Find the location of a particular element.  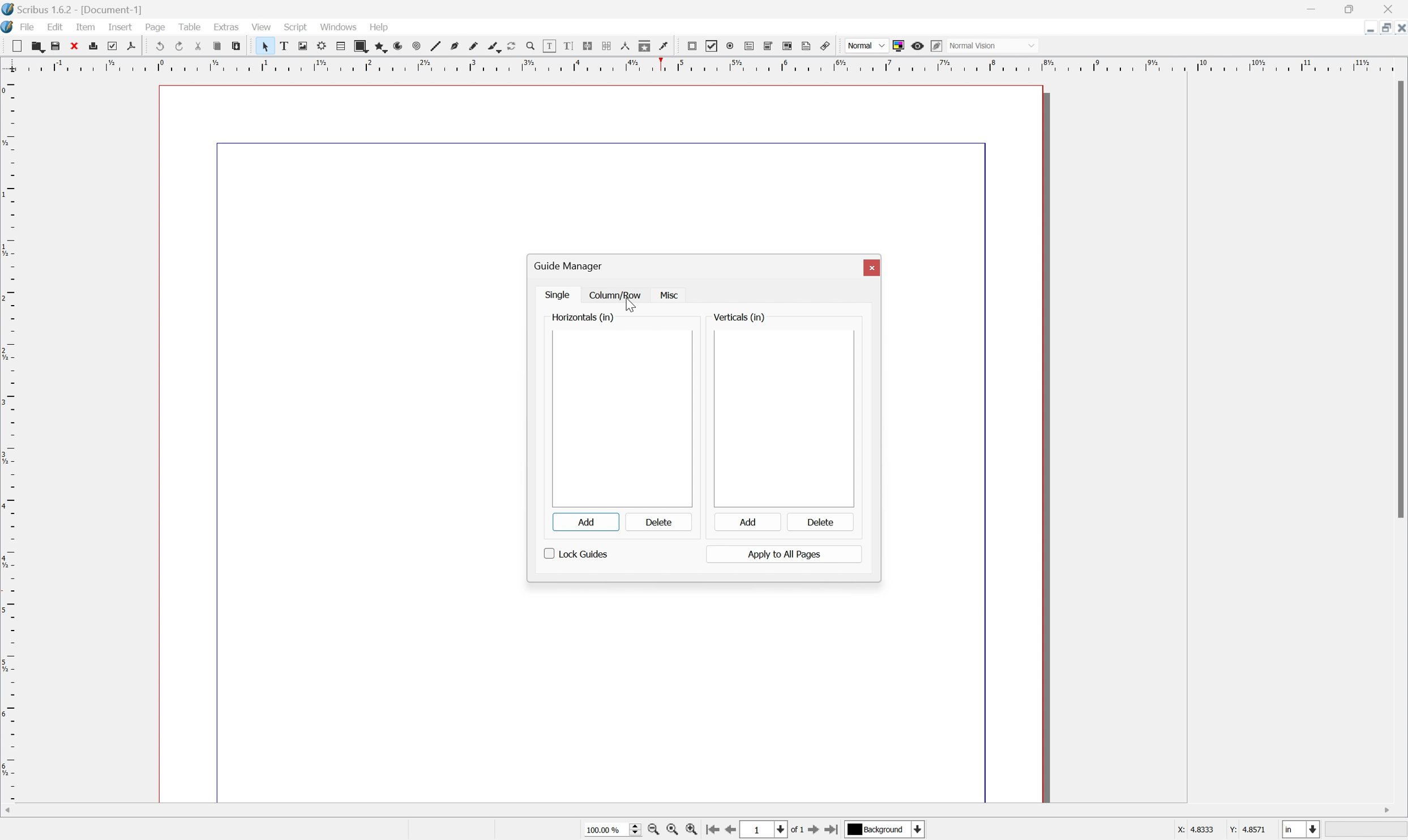

edit in preview mode is located at coordinates (938, 45).